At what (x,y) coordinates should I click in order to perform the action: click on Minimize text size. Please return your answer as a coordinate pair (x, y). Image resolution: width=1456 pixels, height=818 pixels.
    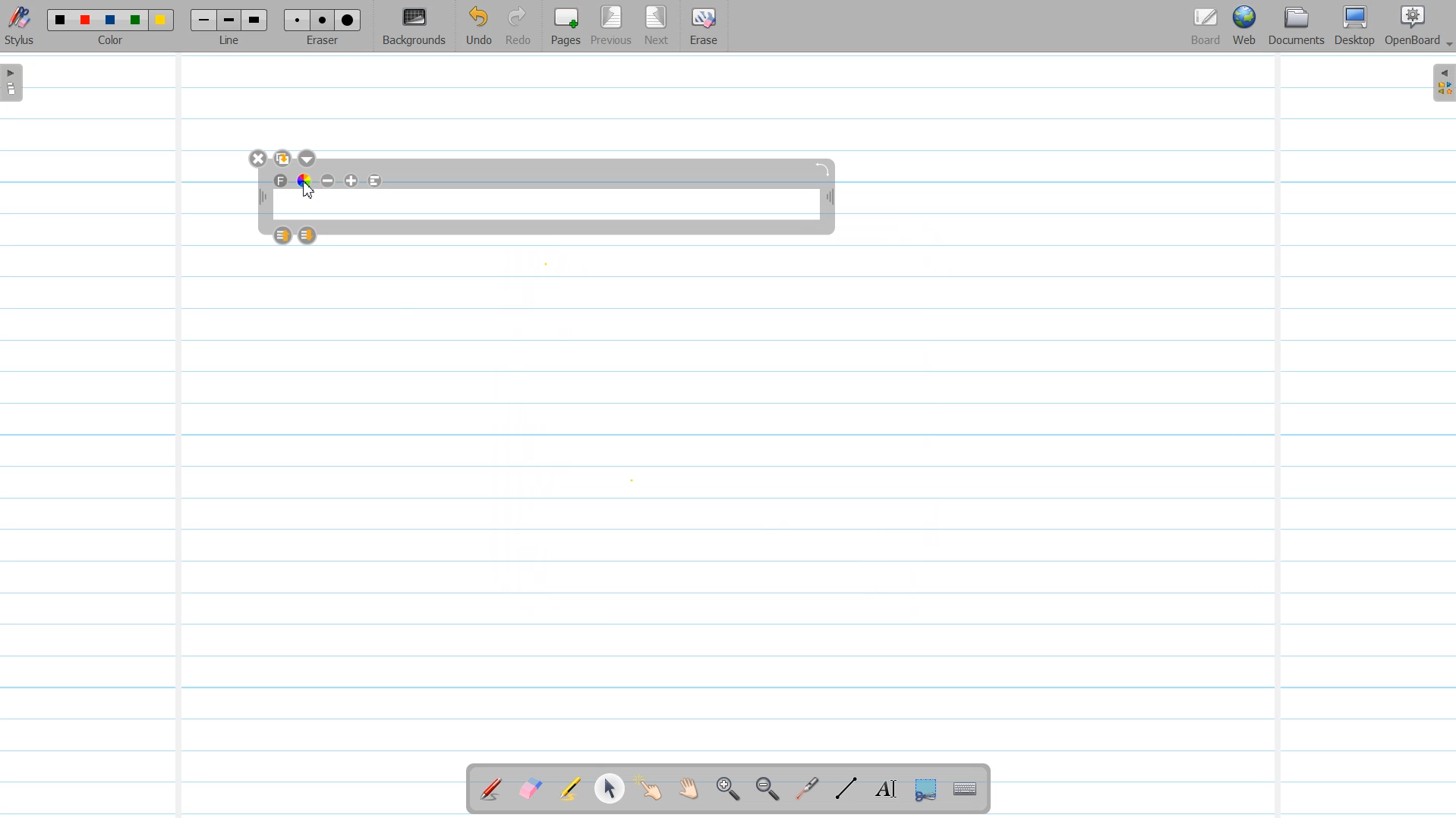
    Looking at the image, I should click on (329, 181).